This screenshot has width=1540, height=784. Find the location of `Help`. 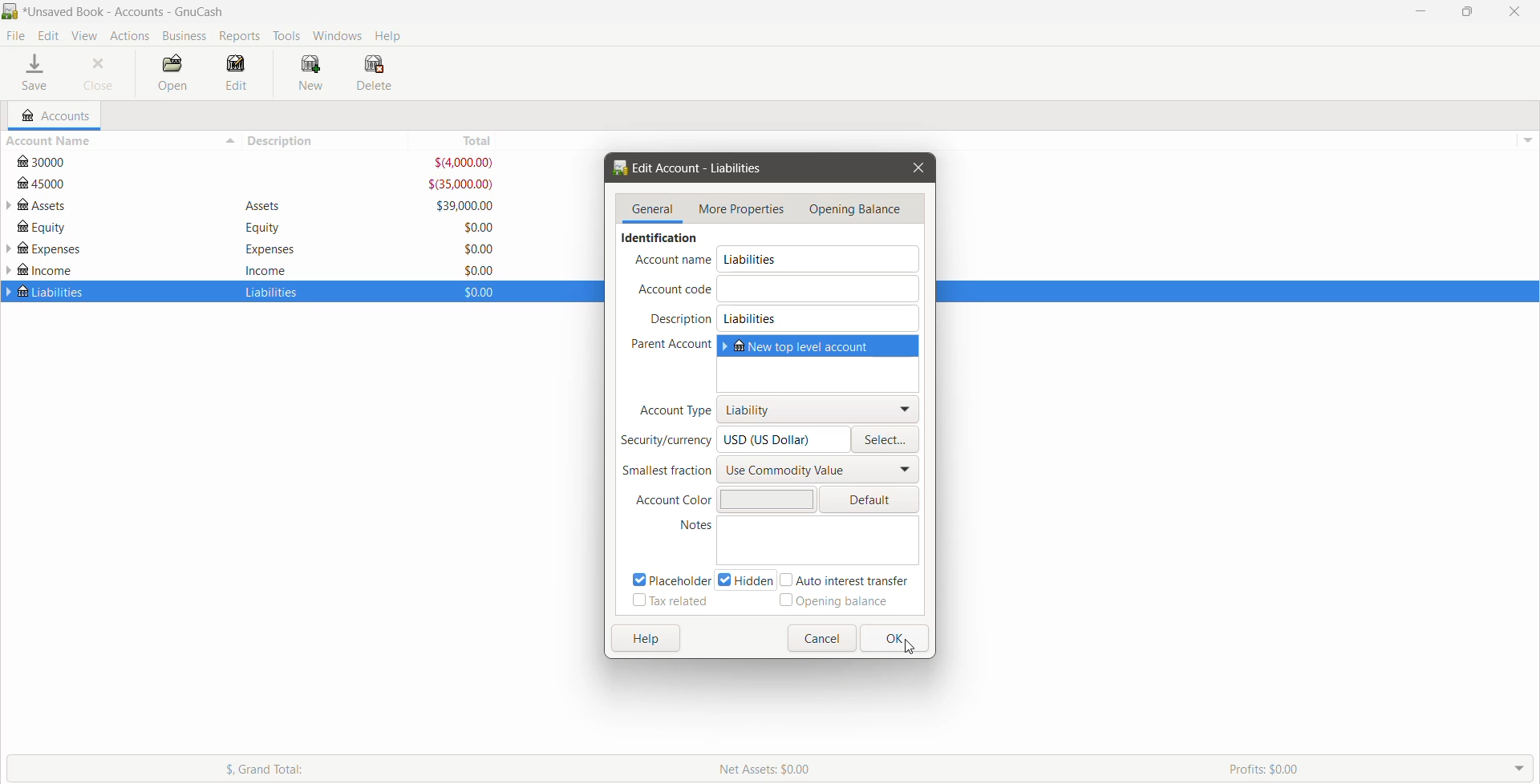

Help is located at coordinates (646, 640).